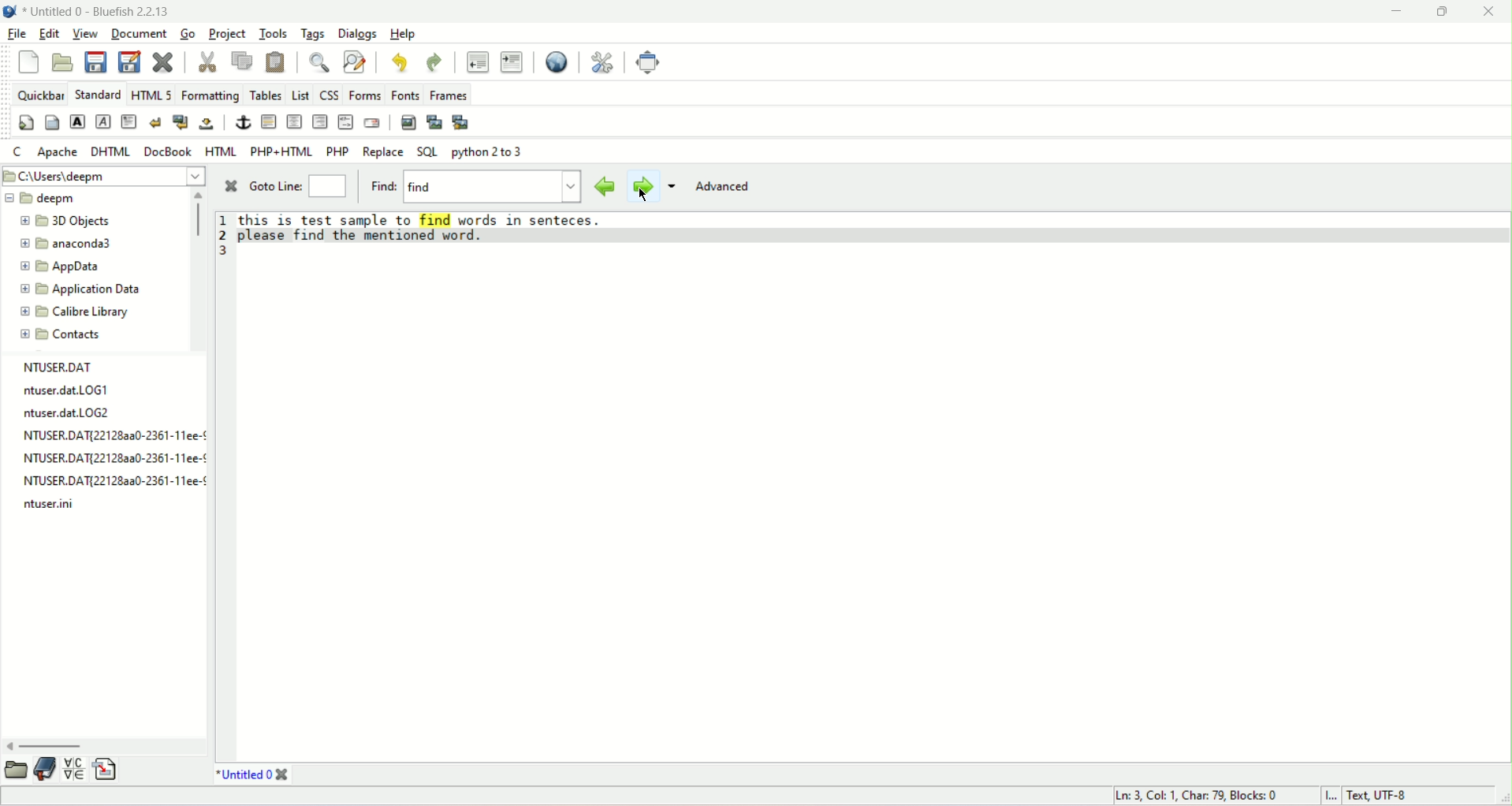 This screenshot has height=806, width=1512. I want to click on horizontal scroll bar, so click(51, 747).